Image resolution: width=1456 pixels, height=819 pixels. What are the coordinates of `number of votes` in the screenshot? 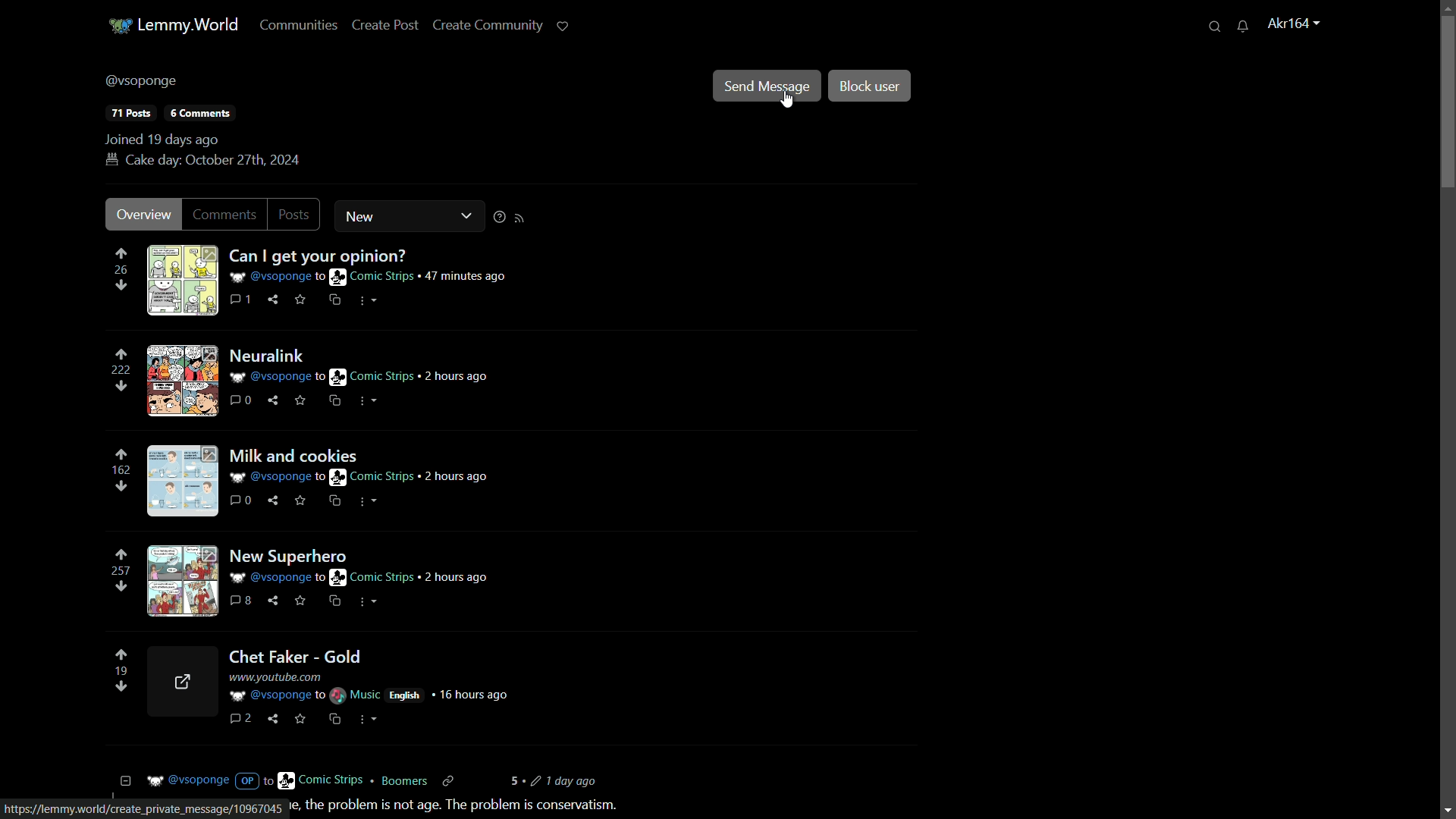 It's located at (124, 469).